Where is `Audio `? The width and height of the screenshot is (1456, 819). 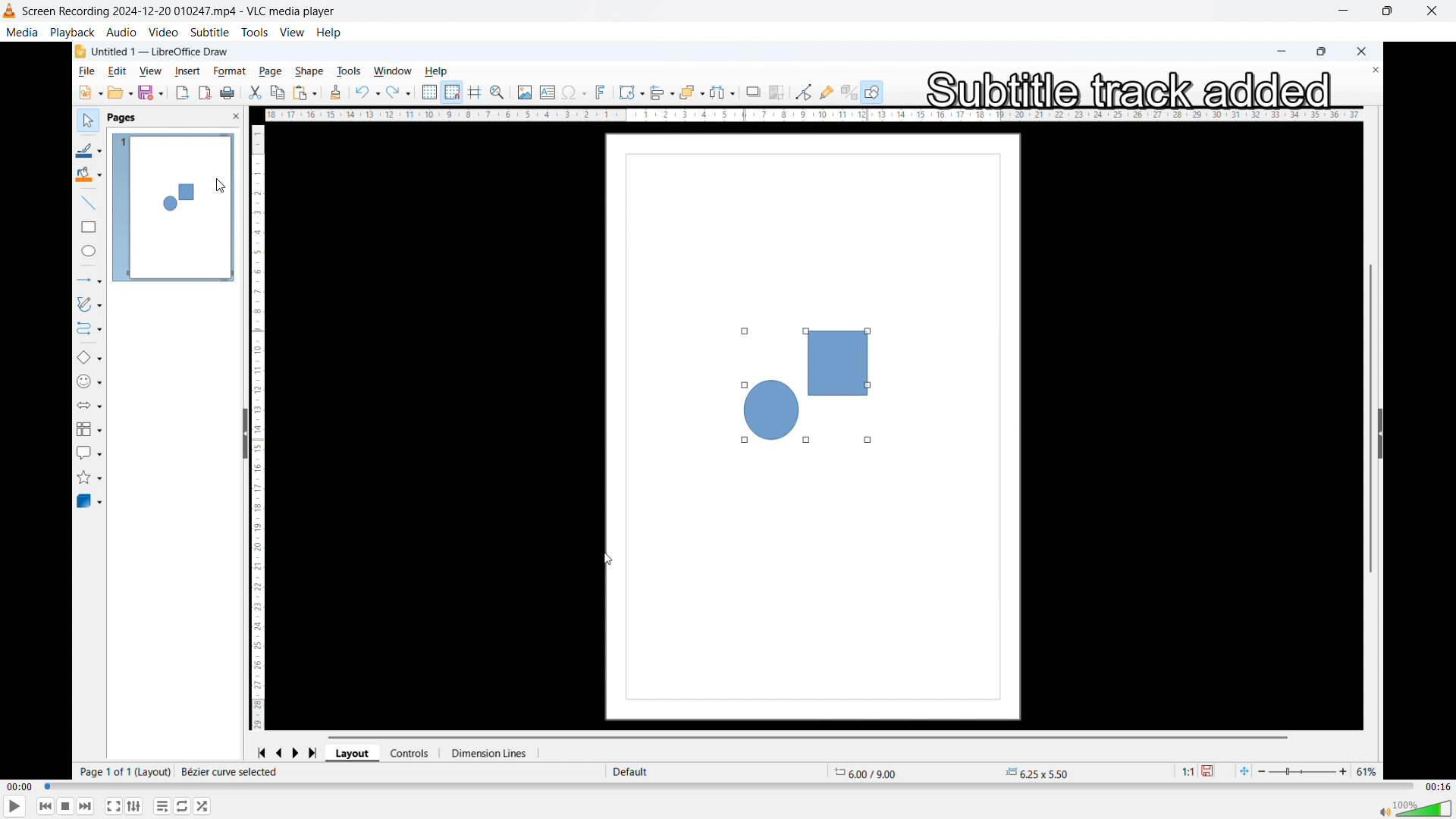
Audio  is located at coordinates (122, 32).